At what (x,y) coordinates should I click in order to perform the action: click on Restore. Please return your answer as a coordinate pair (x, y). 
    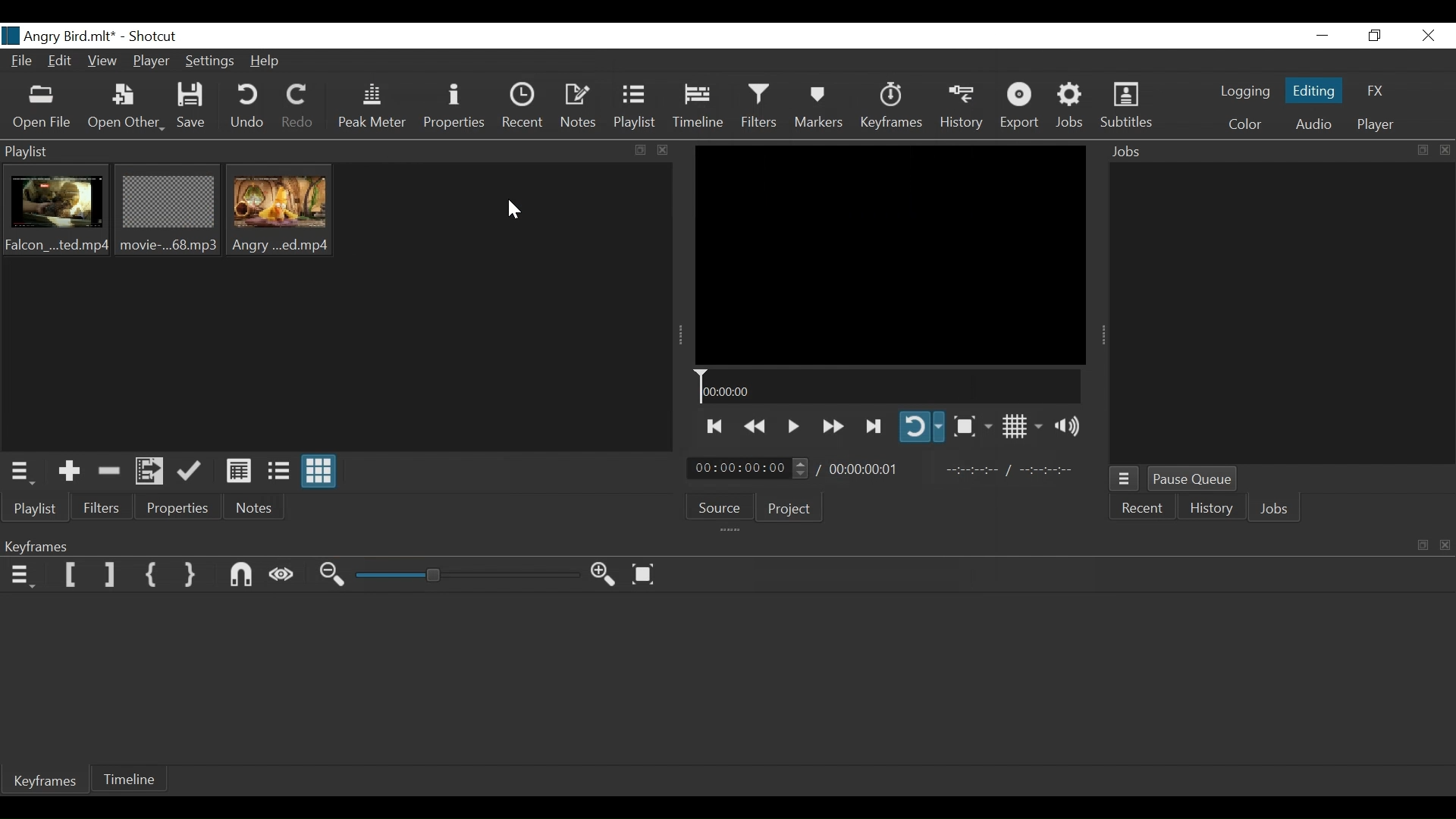
    Looking at the image, I should click on (1378, 36).